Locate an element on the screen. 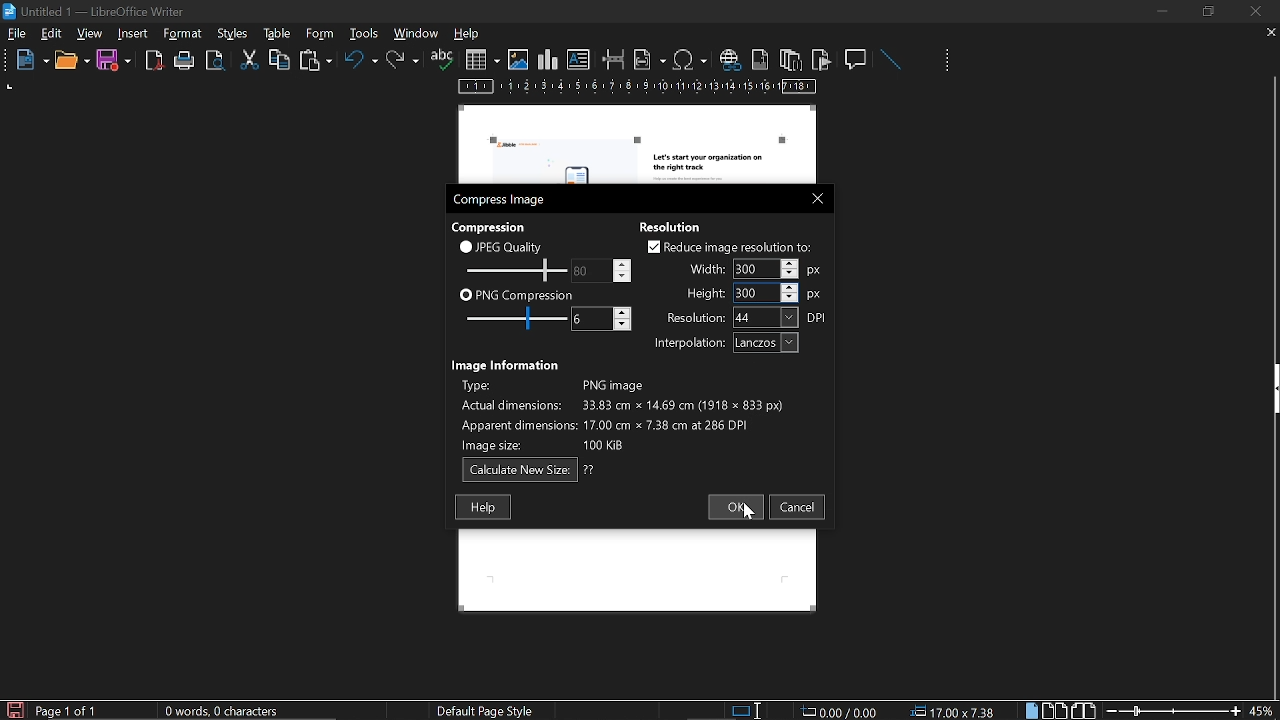  0.00 / 0.00 is located at coordinates (842, 710).